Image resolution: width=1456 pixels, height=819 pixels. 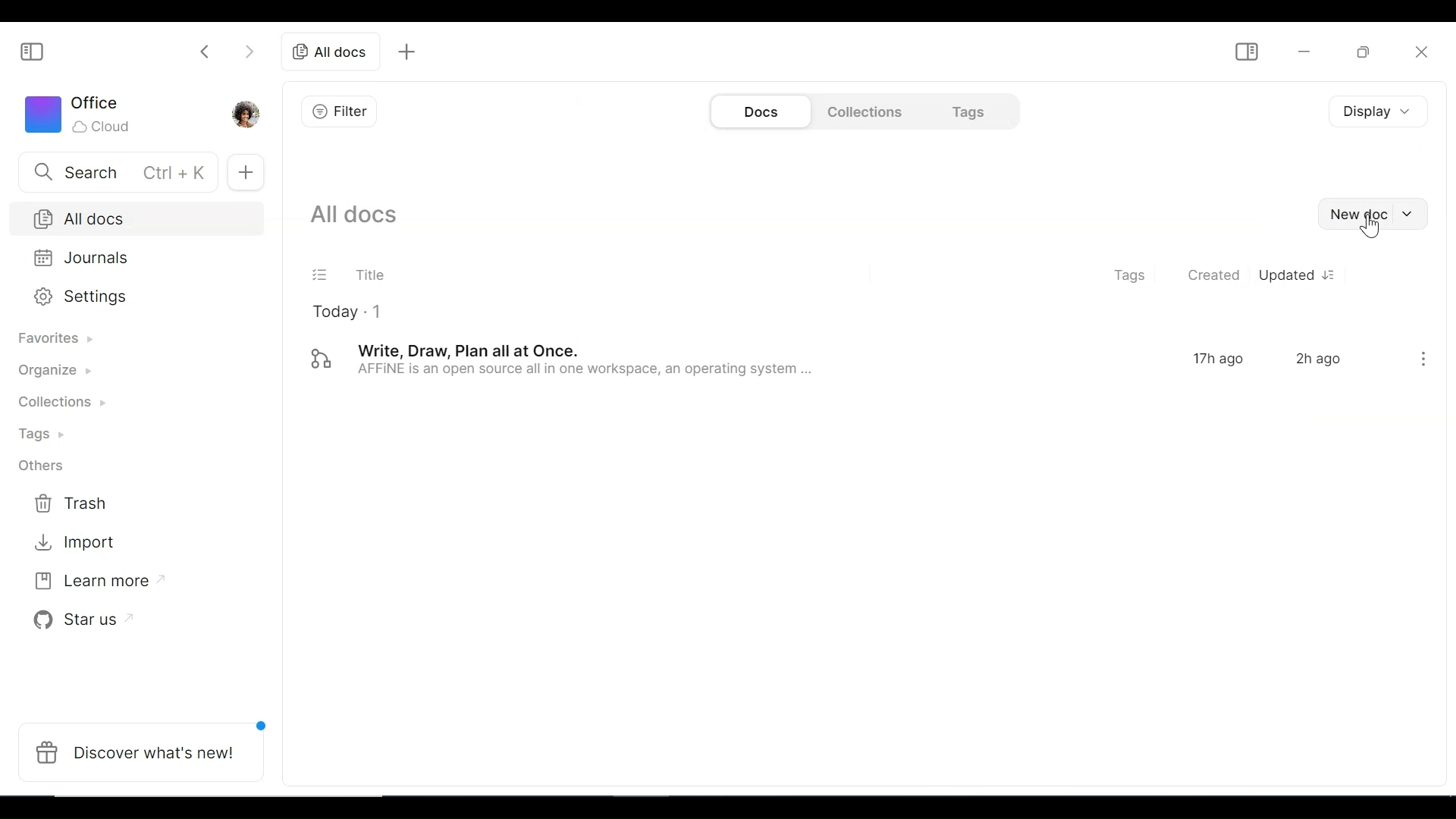 What do you see at coordinates (99, 579) in the screenshot?
I see `Learn more` at bounding box center [99, 579].